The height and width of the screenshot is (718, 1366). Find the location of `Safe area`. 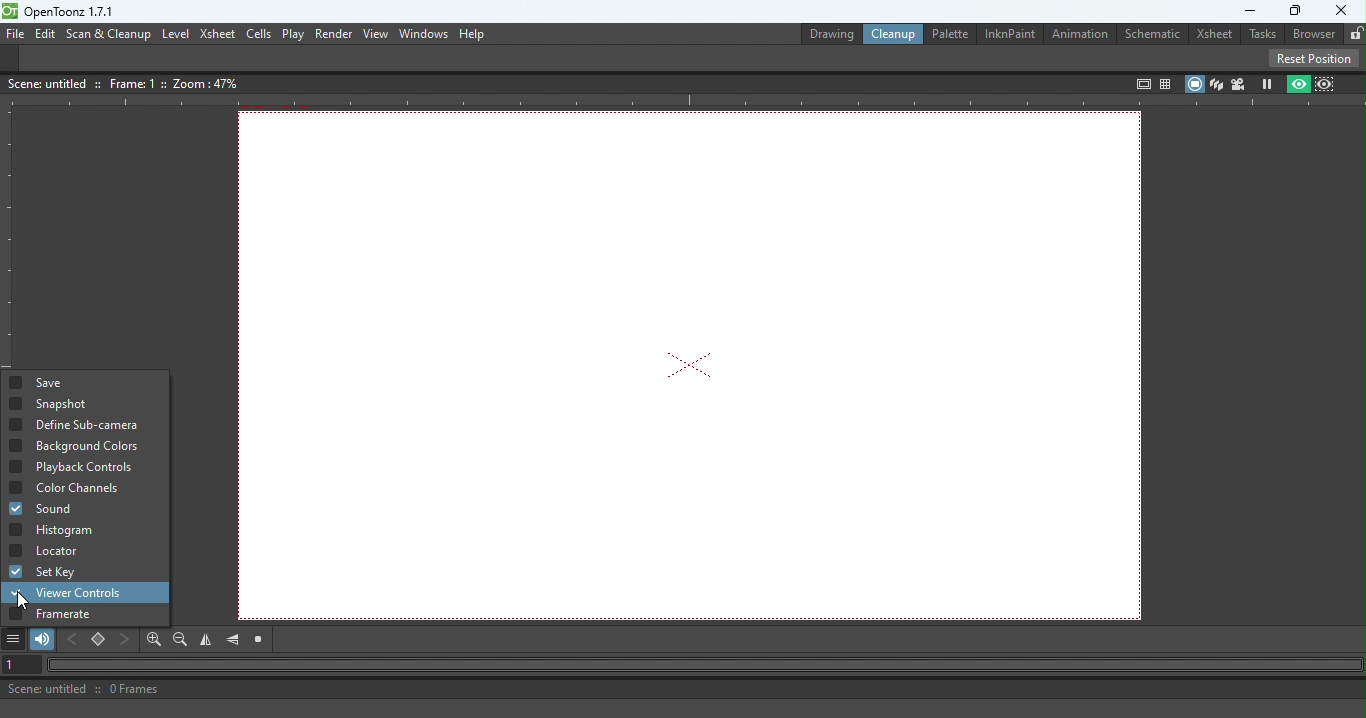

Safe area is located at coordinates (1141, 84).